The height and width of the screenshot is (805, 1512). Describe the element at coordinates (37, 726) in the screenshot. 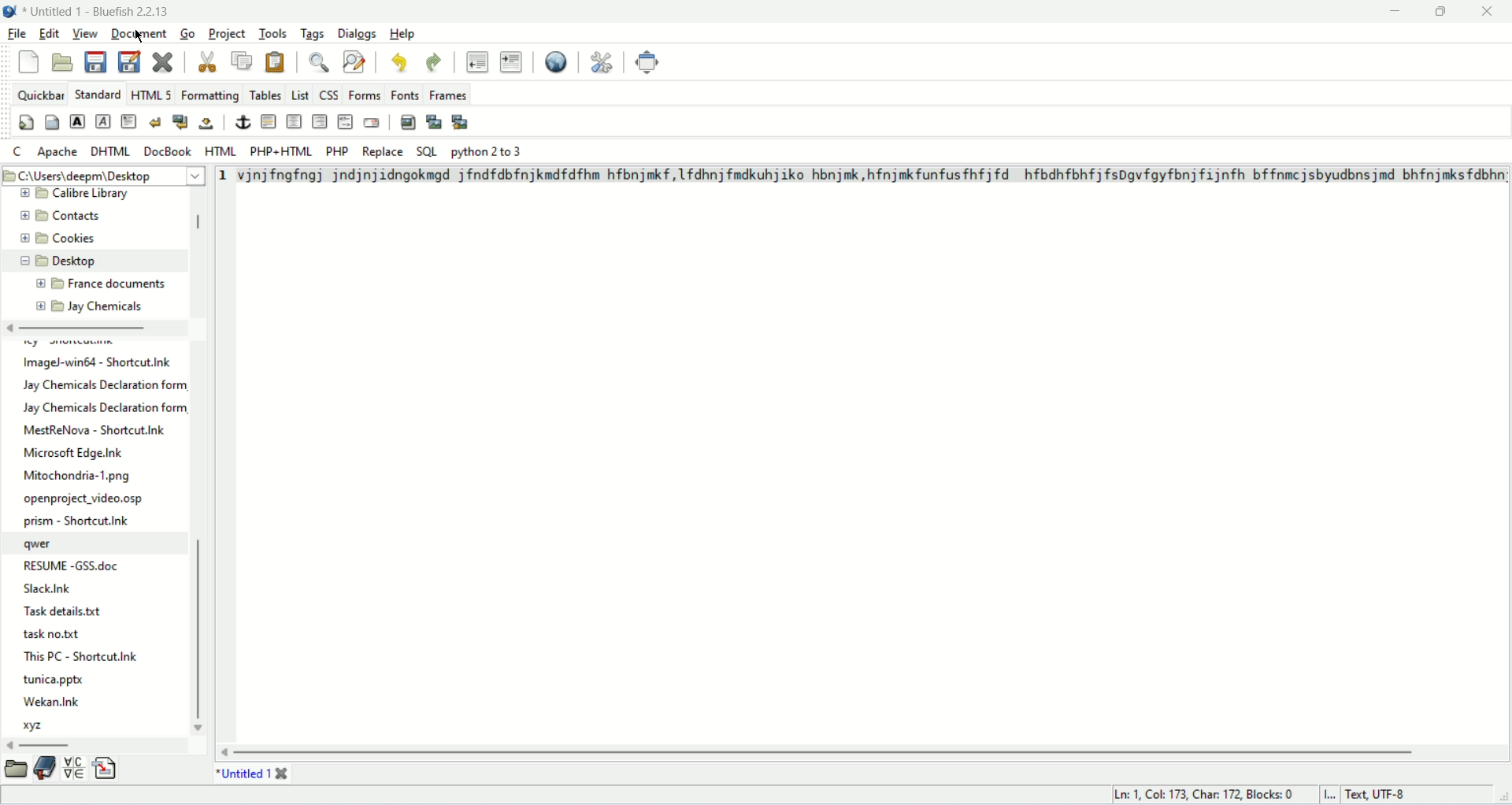

I see `xyz` at that location.